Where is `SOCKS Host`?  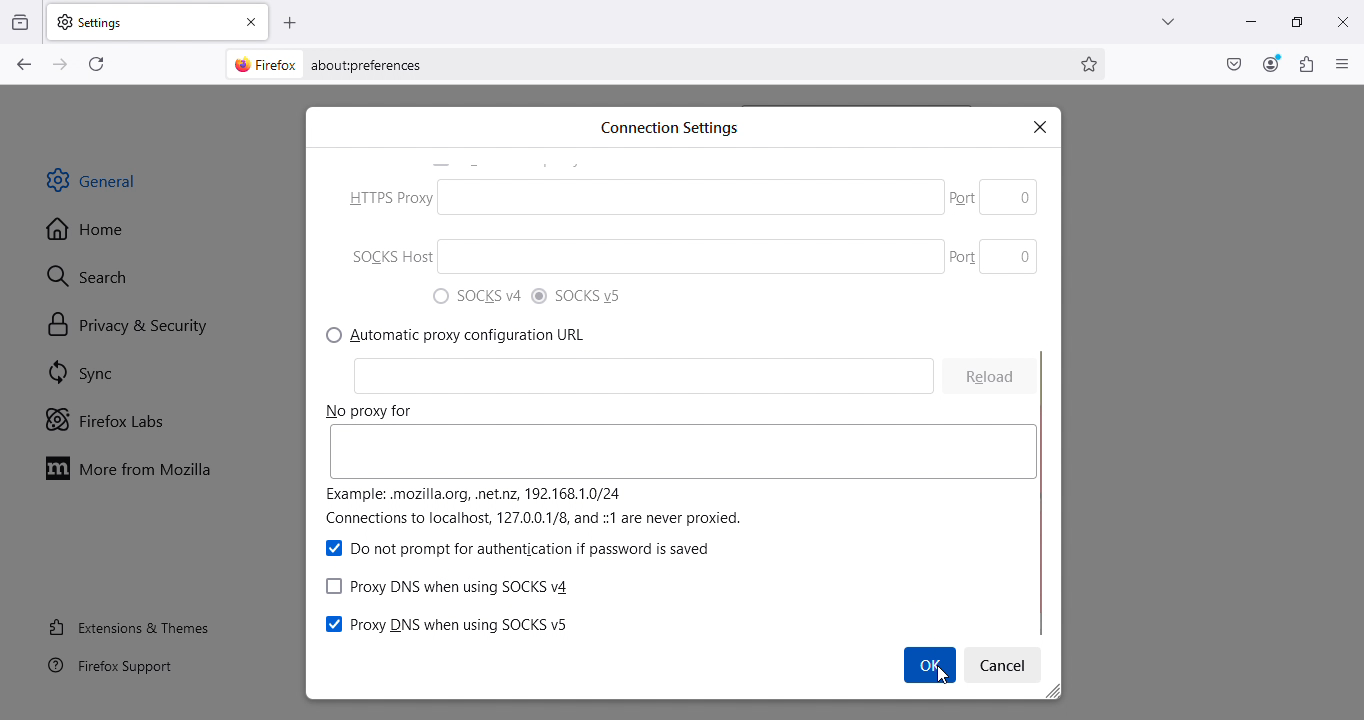 SOCKS Host is located at coordinates (635, 260).